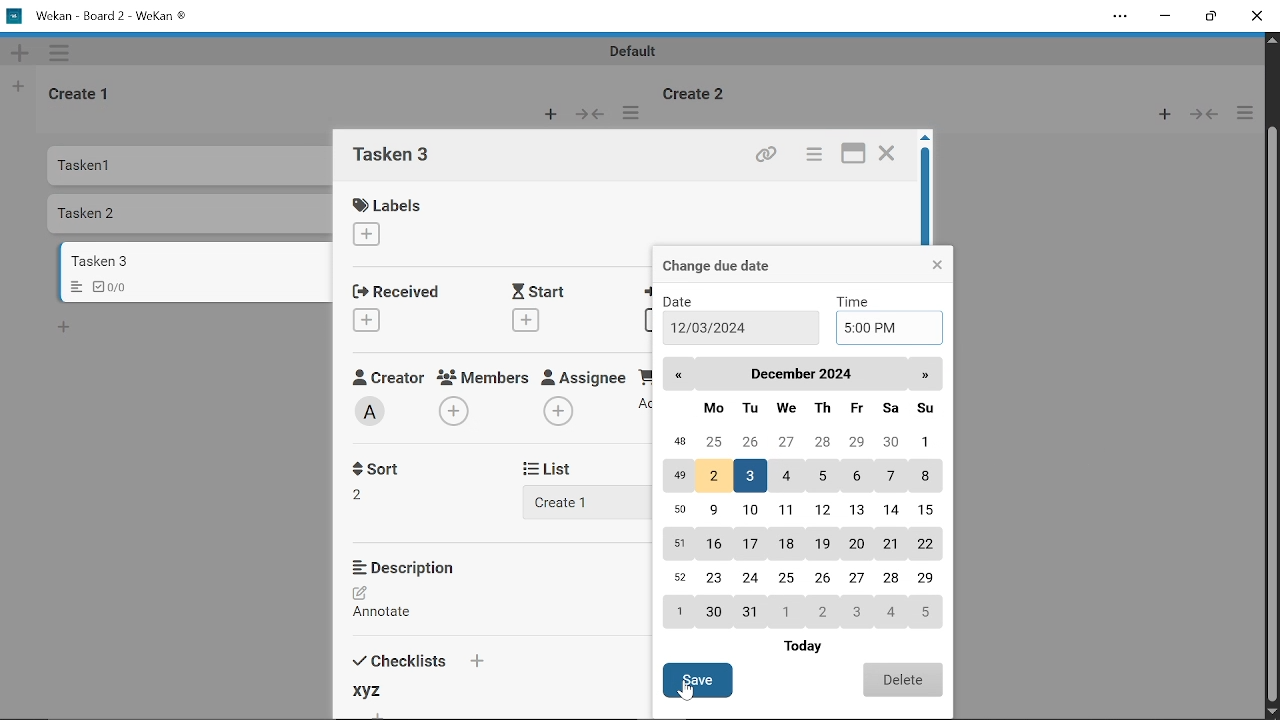 Image resolution: width=1280 pixels, height=720 pixels. I want to click on More, so click(1244, 113).